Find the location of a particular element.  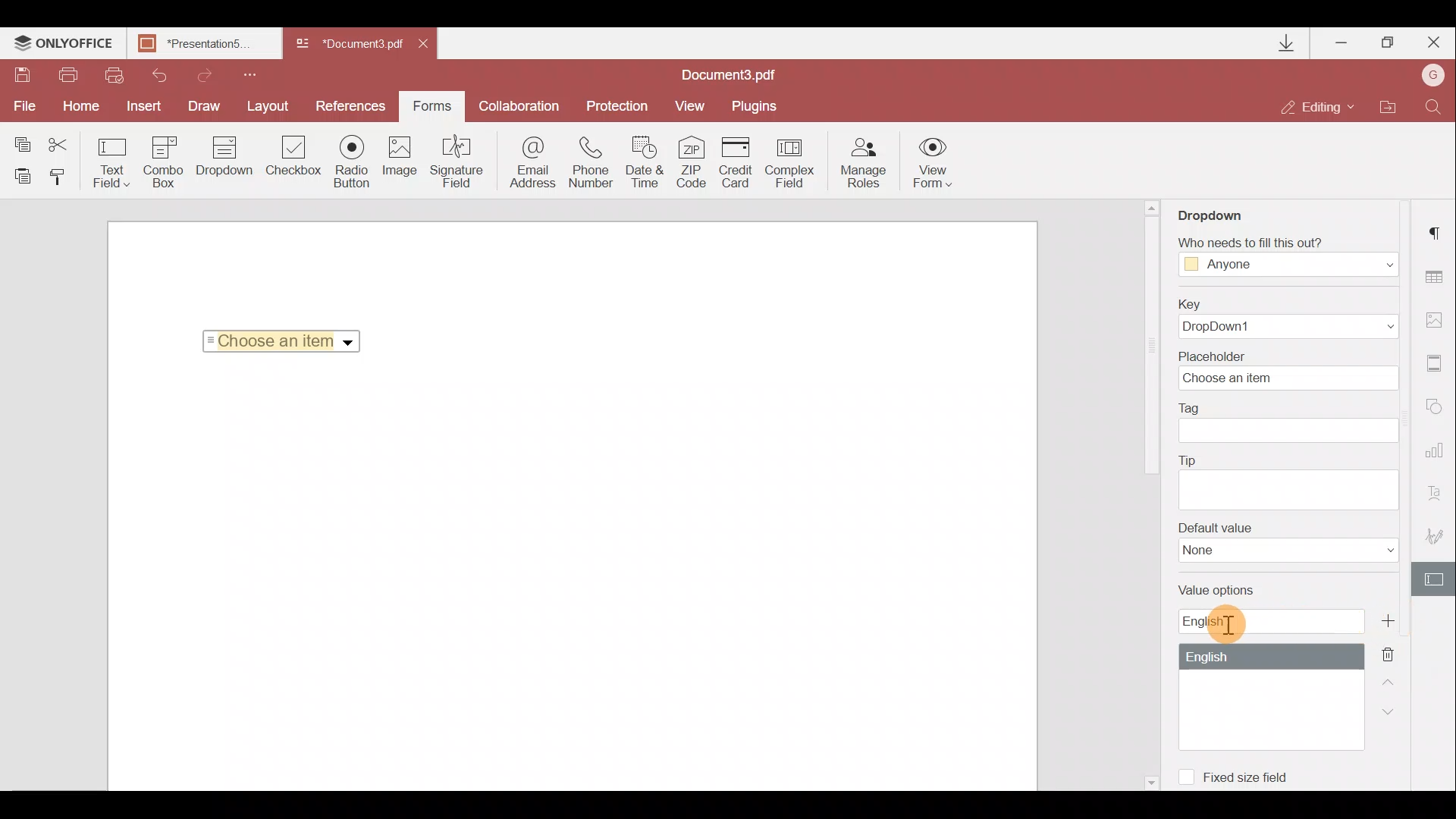

Choose an item  is located at coordinates (287, 338).